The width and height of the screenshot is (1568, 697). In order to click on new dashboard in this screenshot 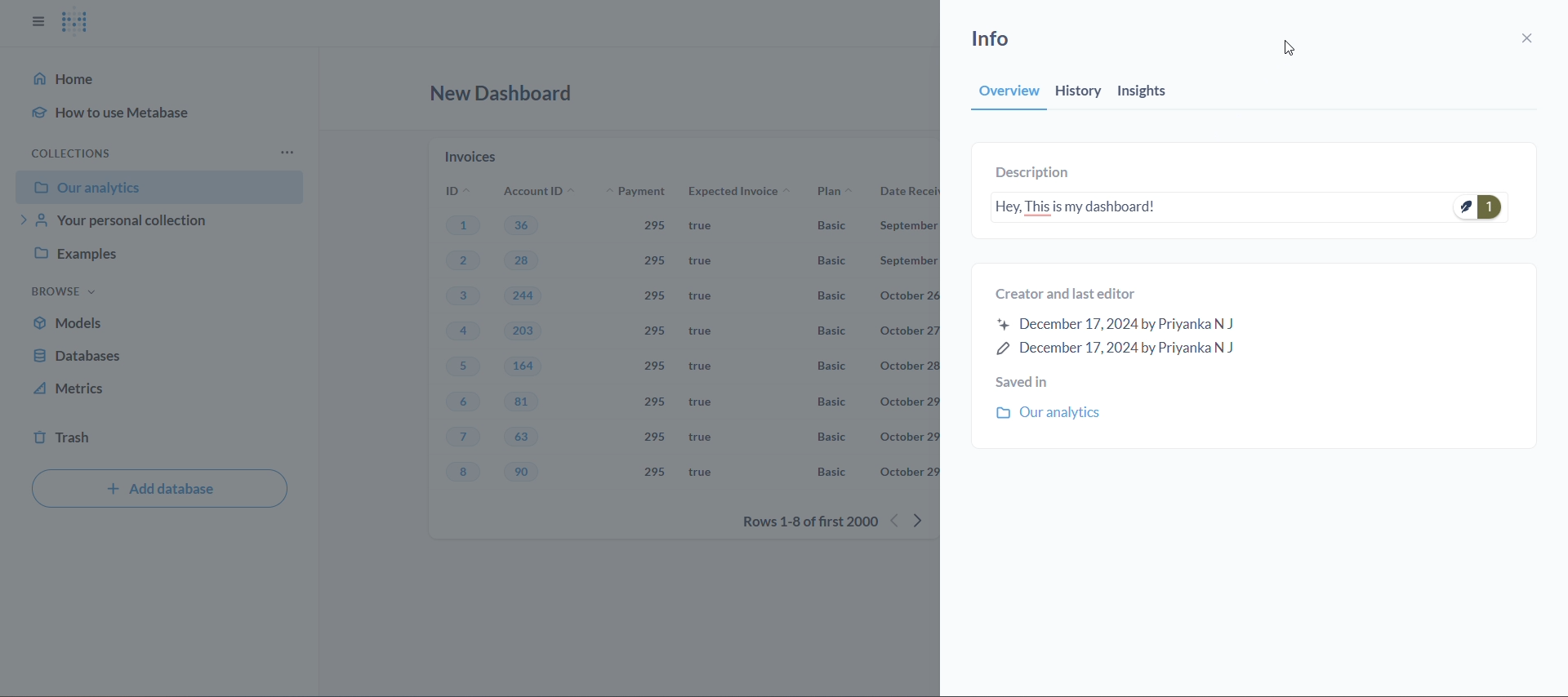, I will do `click(506, 98)`.